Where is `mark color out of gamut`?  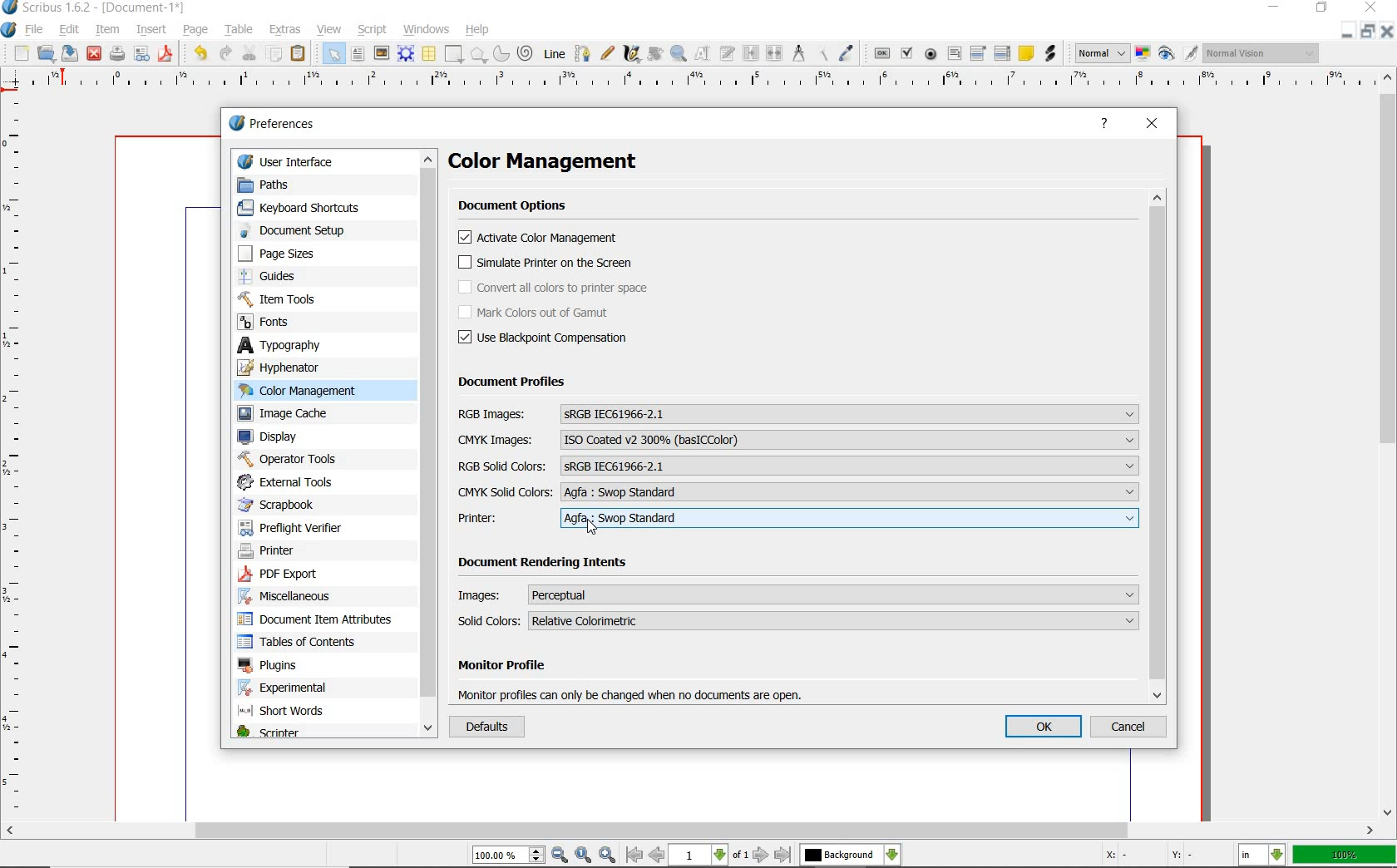
mark color out of gamut is located at coordinates (553, 313).